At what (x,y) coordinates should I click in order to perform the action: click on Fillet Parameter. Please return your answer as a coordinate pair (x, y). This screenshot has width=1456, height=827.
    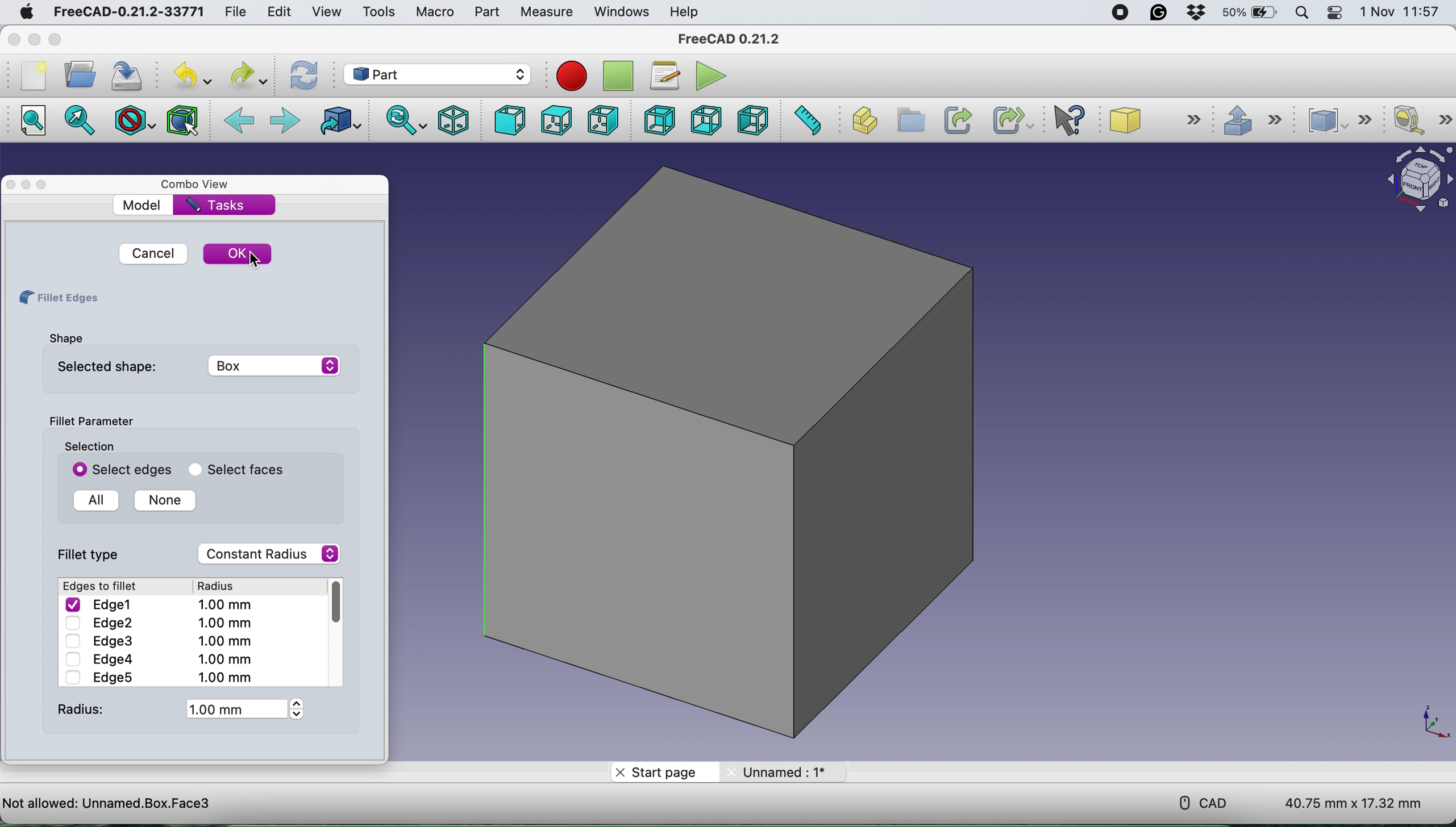
    Looking at the image, I should click on (90, 421).